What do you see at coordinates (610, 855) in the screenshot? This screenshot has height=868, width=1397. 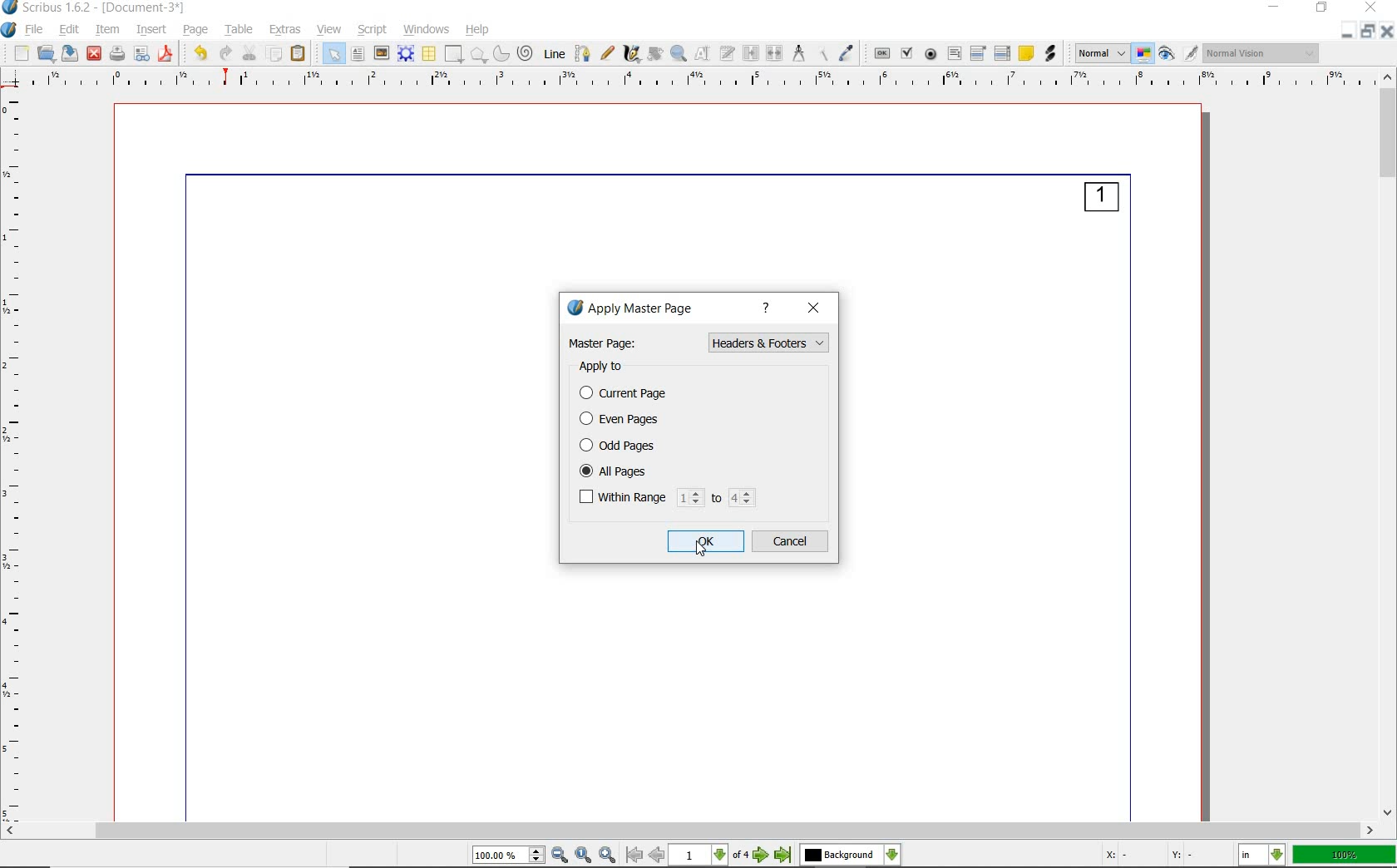 I see `zoom in` at bounding box center [610, 855].